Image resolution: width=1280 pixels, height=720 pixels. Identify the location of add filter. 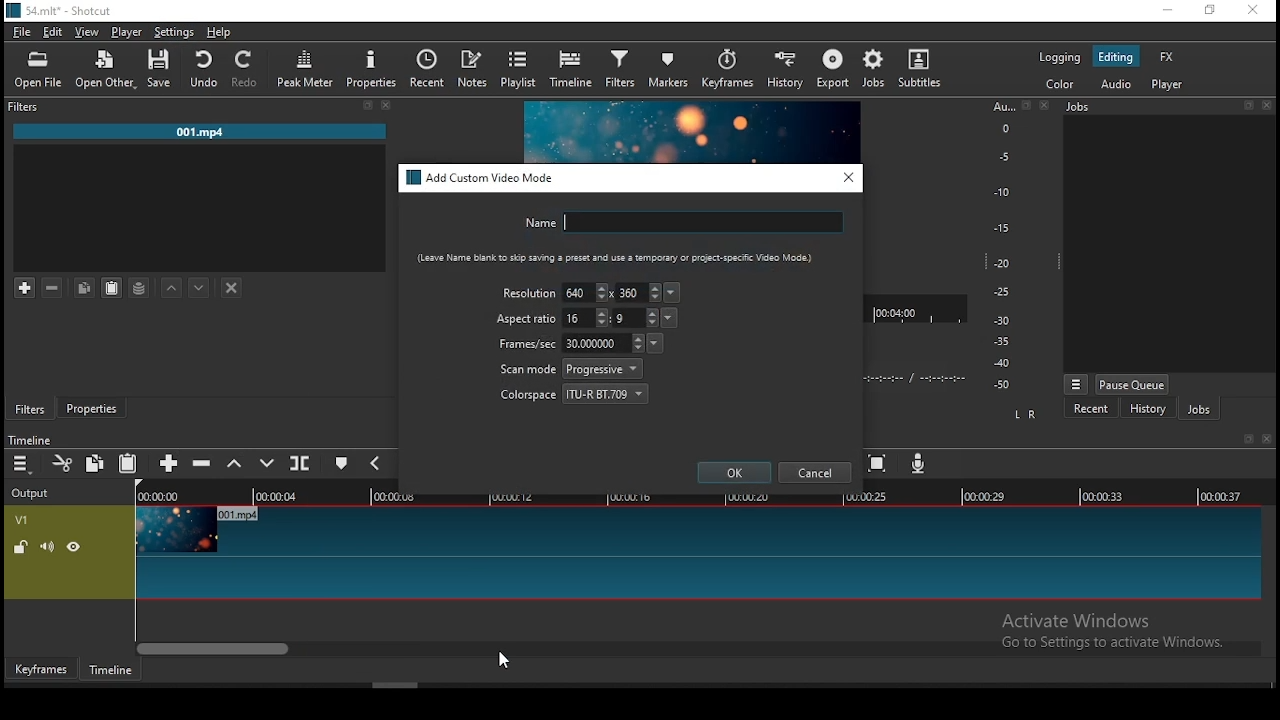
(25, 289).